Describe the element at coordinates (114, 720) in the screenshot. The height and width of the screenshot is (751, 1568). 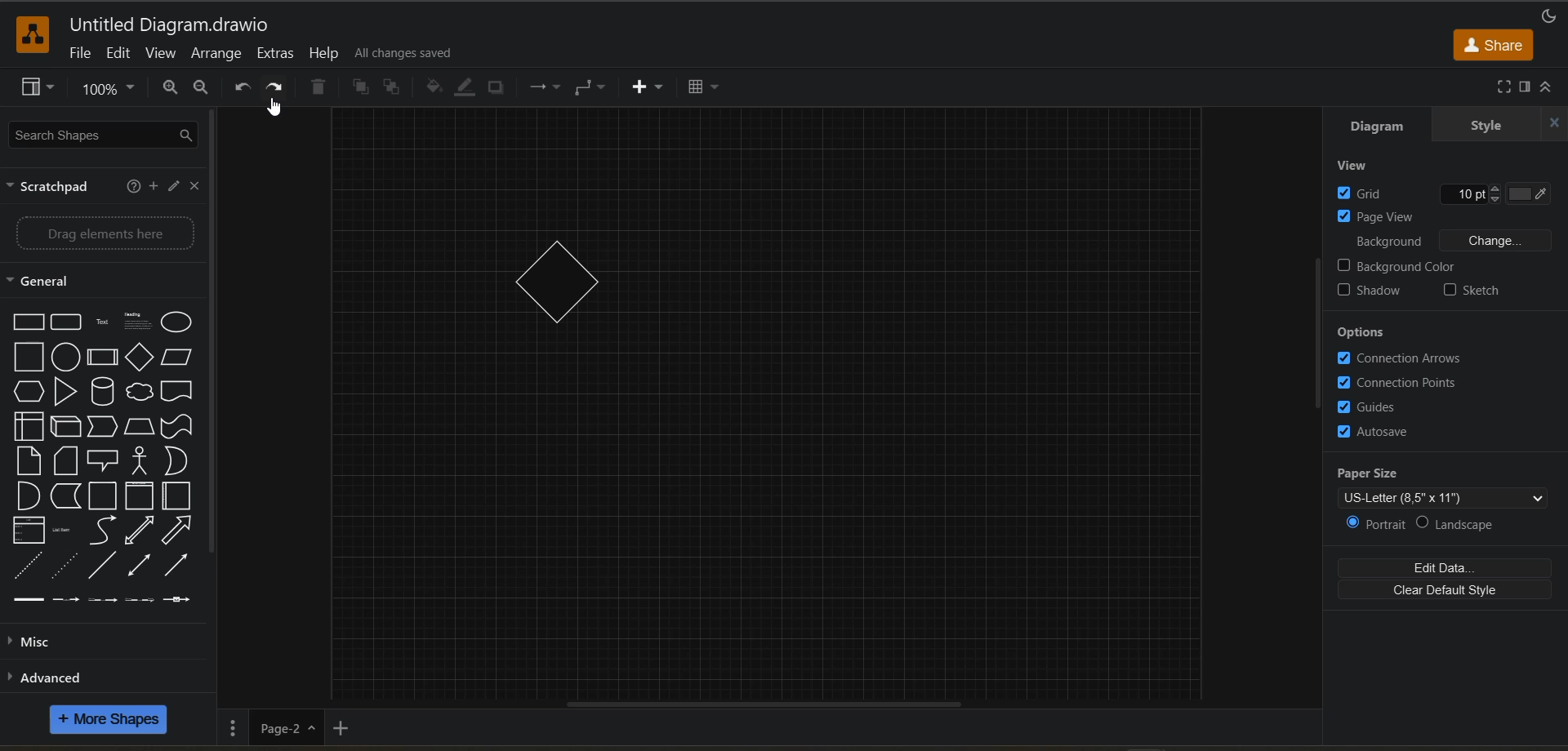
I see `more shapes` at that location.